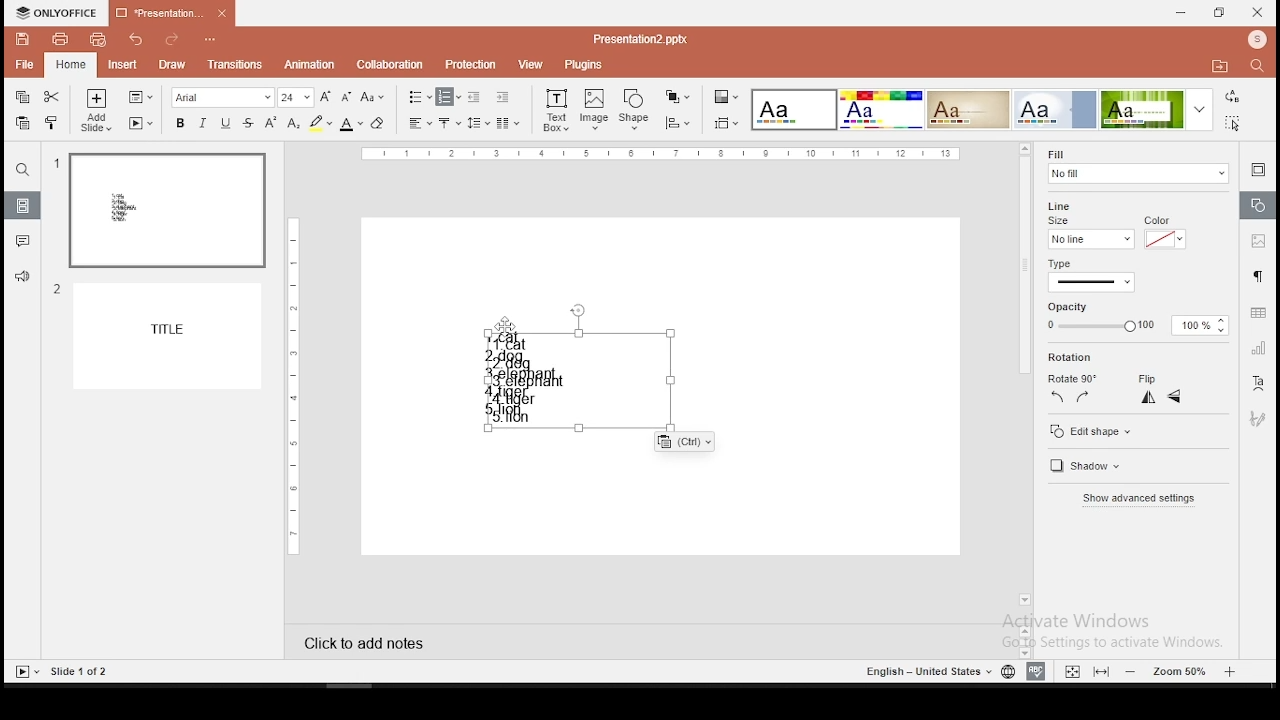 Image resolution: width=1280 pixels, height=720 pixels. I want to click on theme, so click(795, 110).